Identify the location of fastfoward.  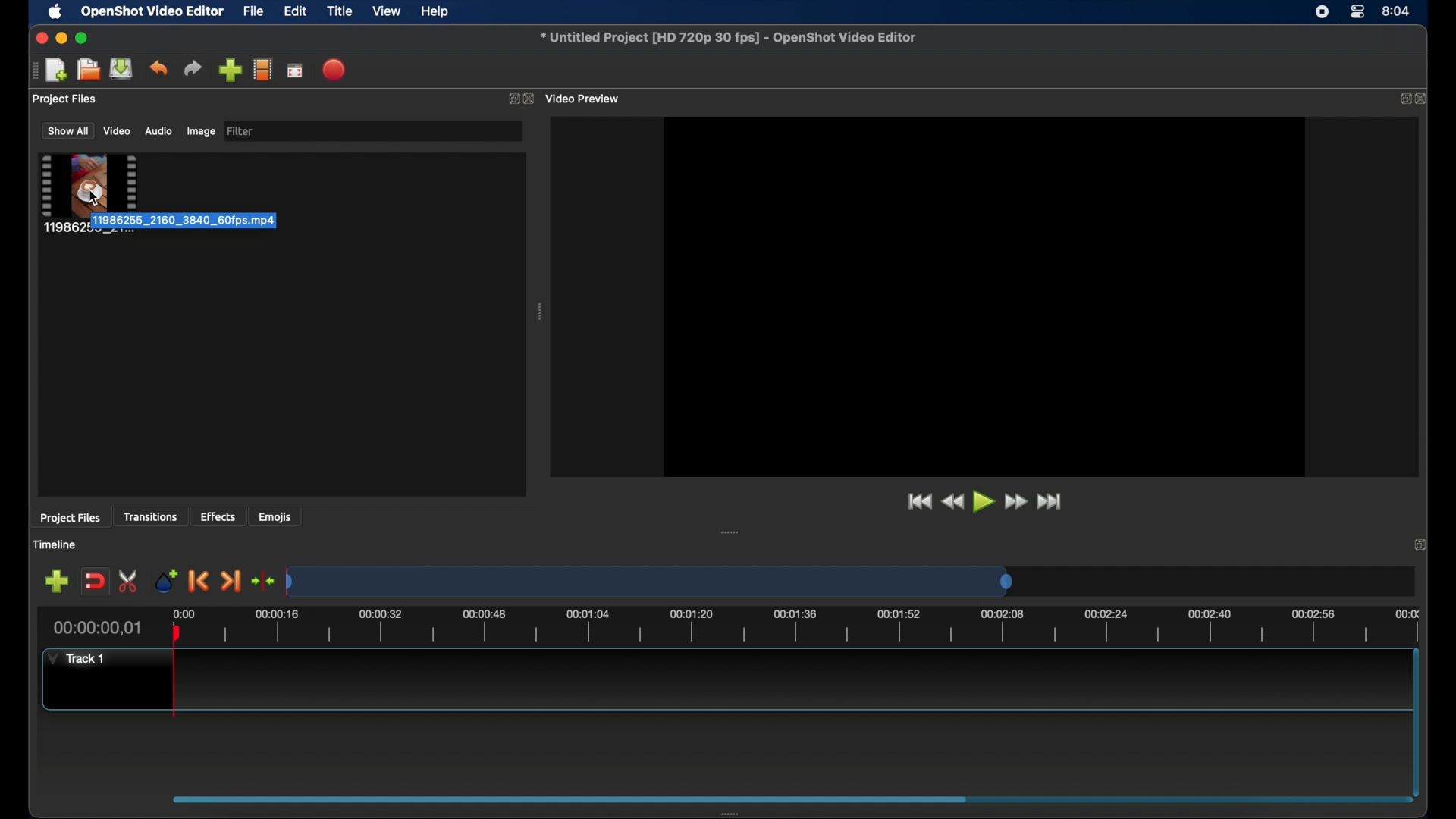
(1017, 501).